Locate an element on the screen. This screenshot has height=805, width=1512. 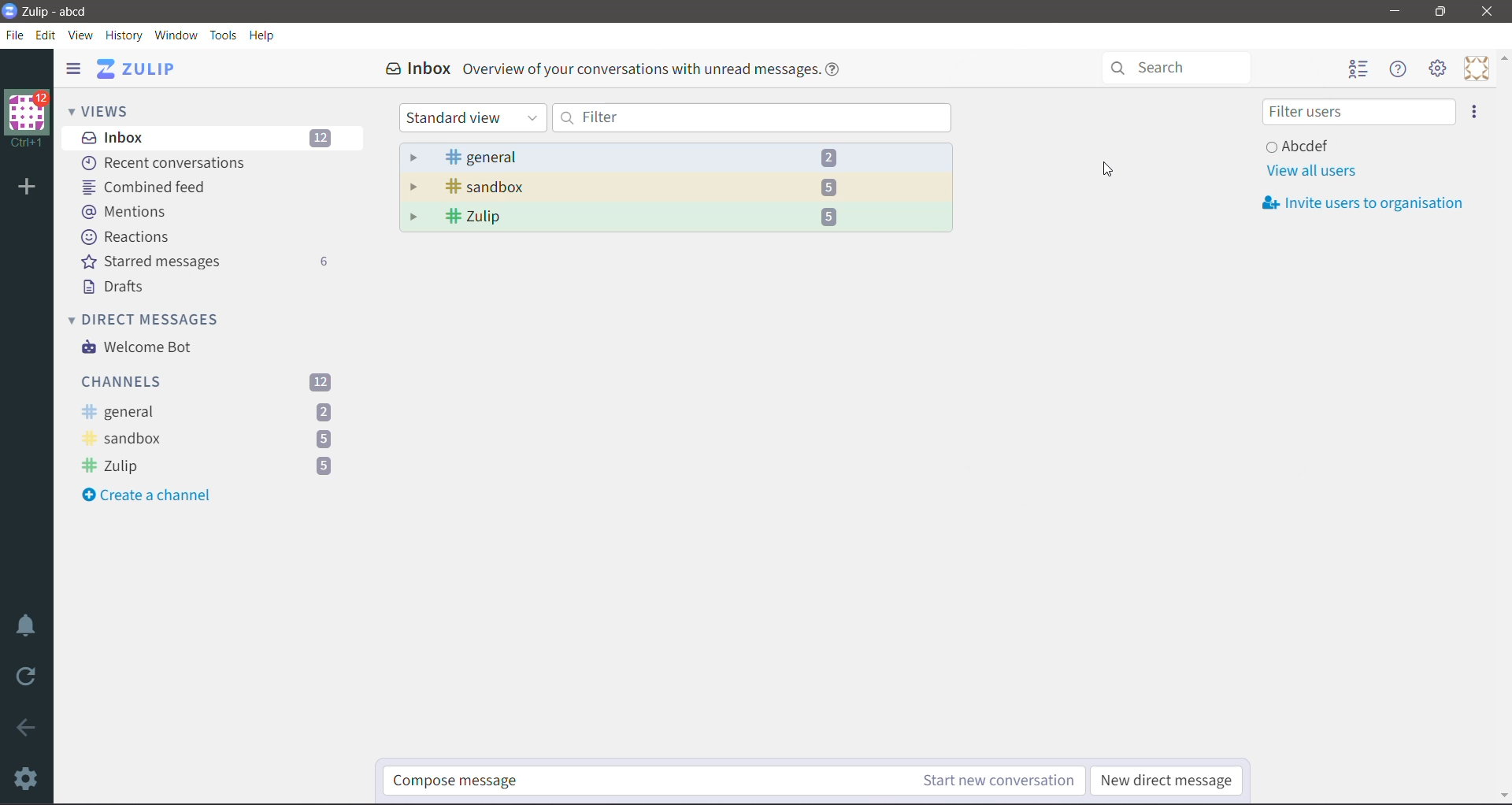
Hide Left Sidebar is located at coordinates (73, 69).